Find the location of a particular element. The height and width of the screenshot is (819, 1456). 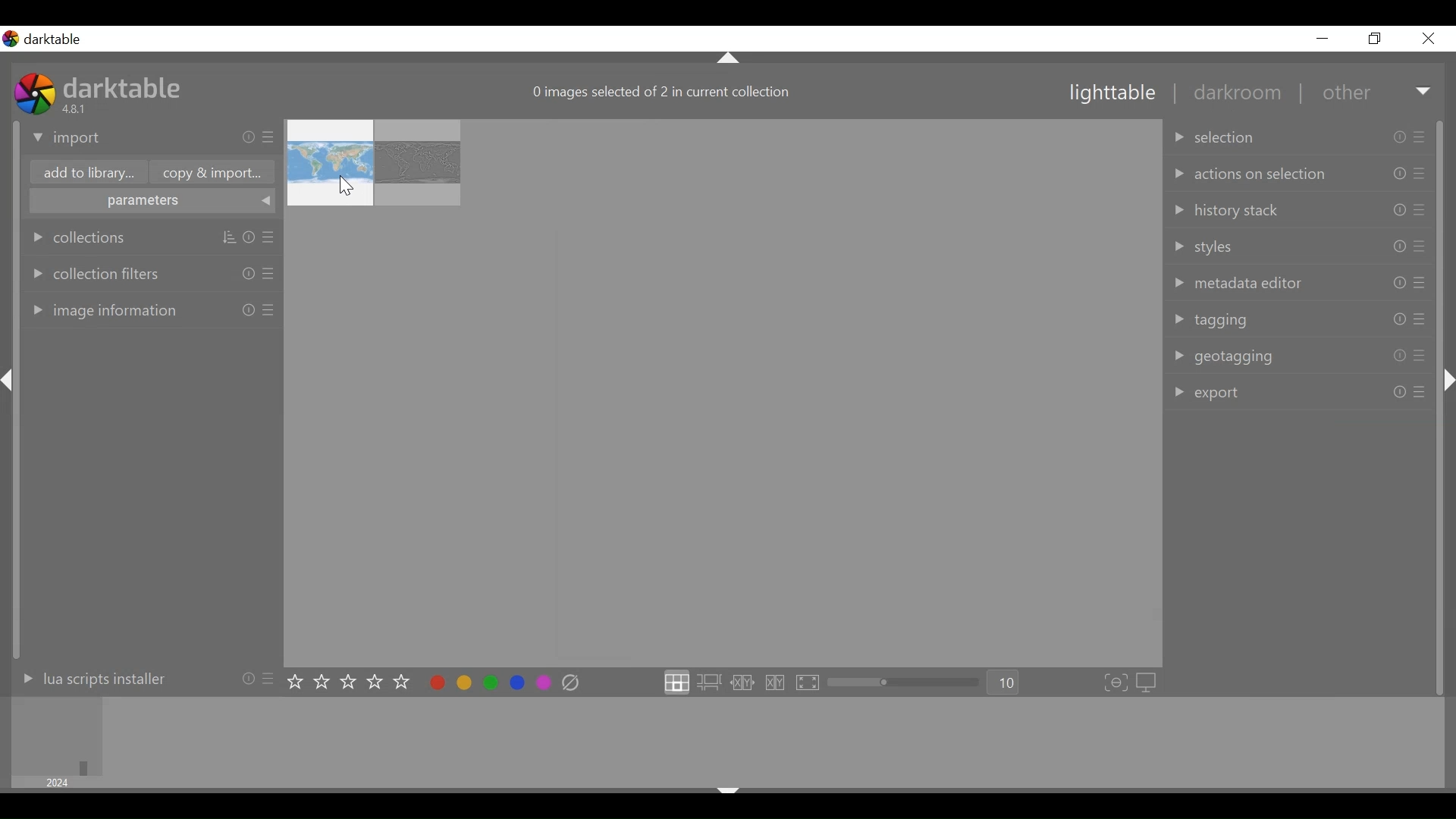

Expand is located at coordinates (1425, 93).